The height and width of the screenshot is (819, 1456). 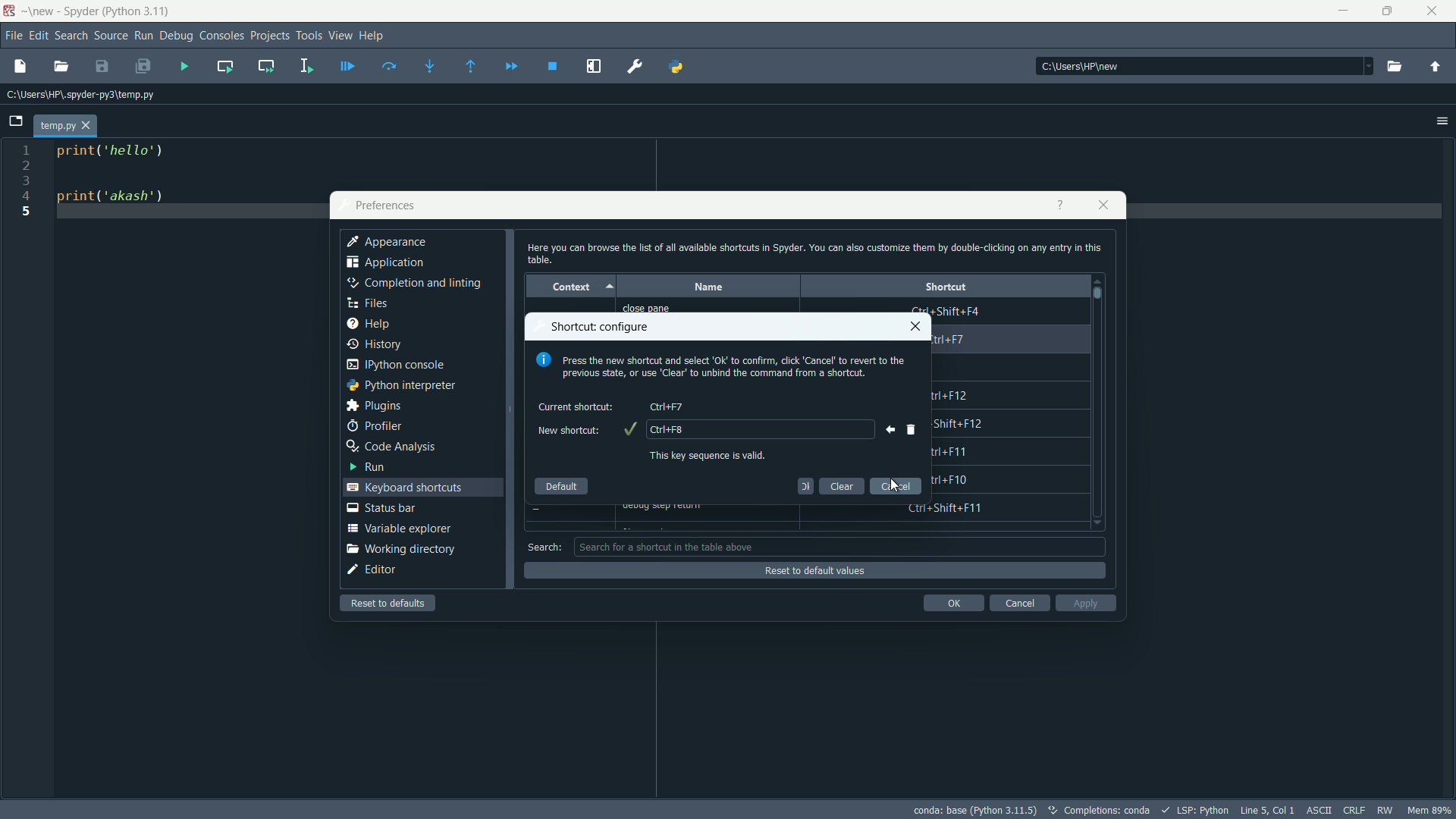 I want to click on Sorting Options, so click(x=612, y=287).